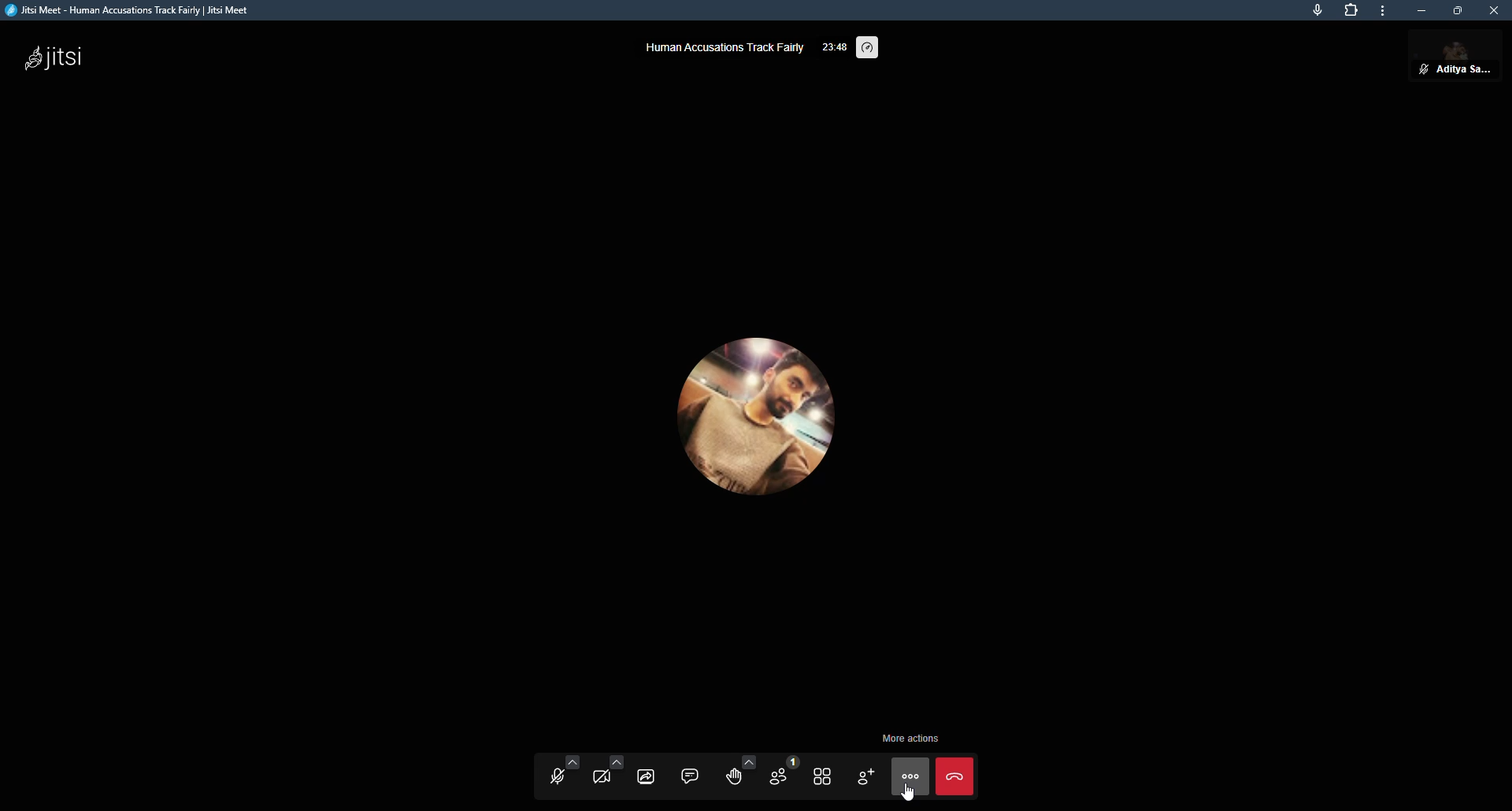 The width and height of the screenshot is (1512, 811). Describe the element at coordinates (648, 774) in the screenshot. I see `share screen` at that location.